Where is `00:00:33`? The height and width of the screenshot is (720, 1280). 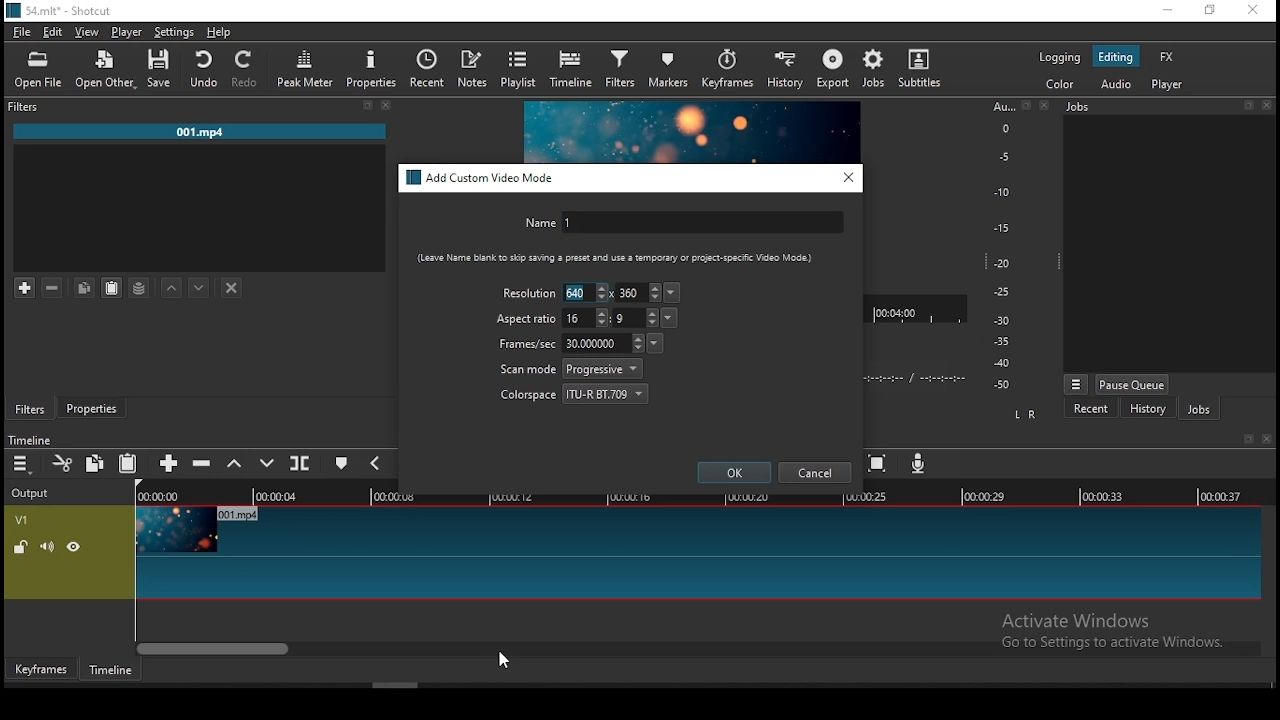
00:00:33 is located at coordinates (1103, 495).